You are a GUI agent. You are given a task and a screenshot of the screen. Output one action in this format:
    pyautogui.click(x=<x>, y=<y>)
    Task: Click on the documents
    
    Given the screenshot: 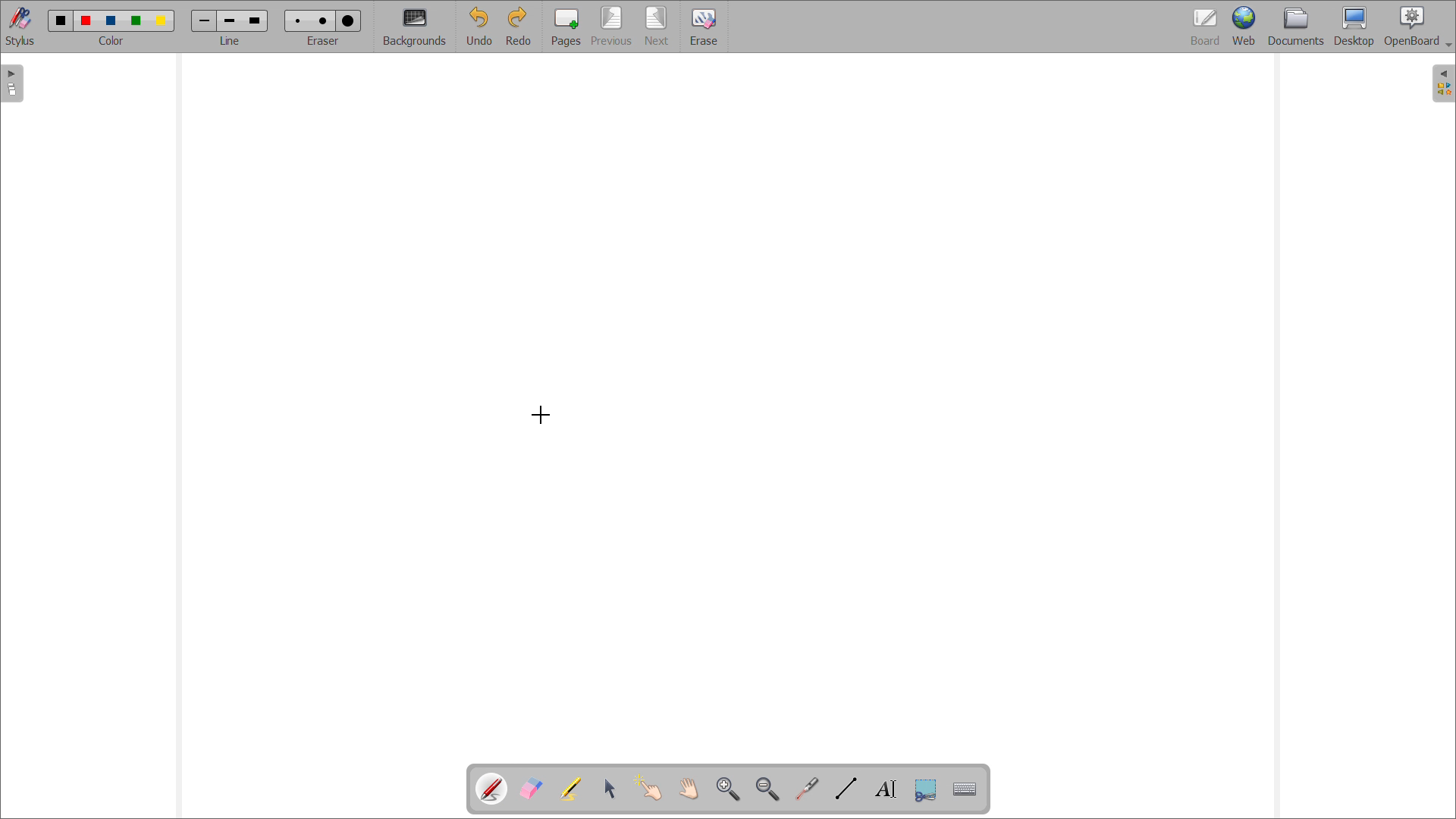 What is the action you would take?
    pyautogui.click(x=1296, y=27)
    